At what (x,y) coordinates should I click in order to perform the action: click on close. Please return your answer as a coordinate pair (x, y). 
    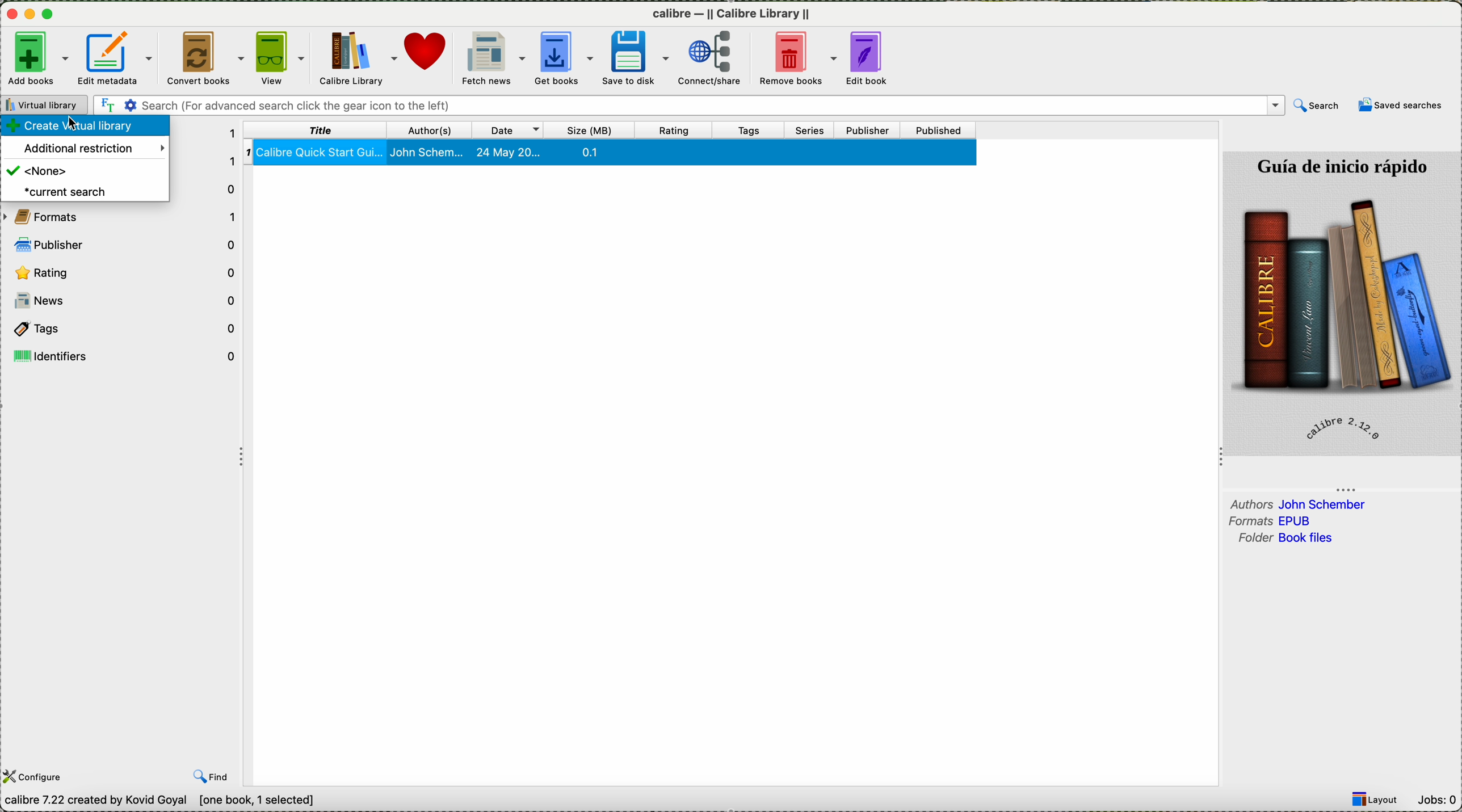
    Looking at the image, I should click on (10, 16).